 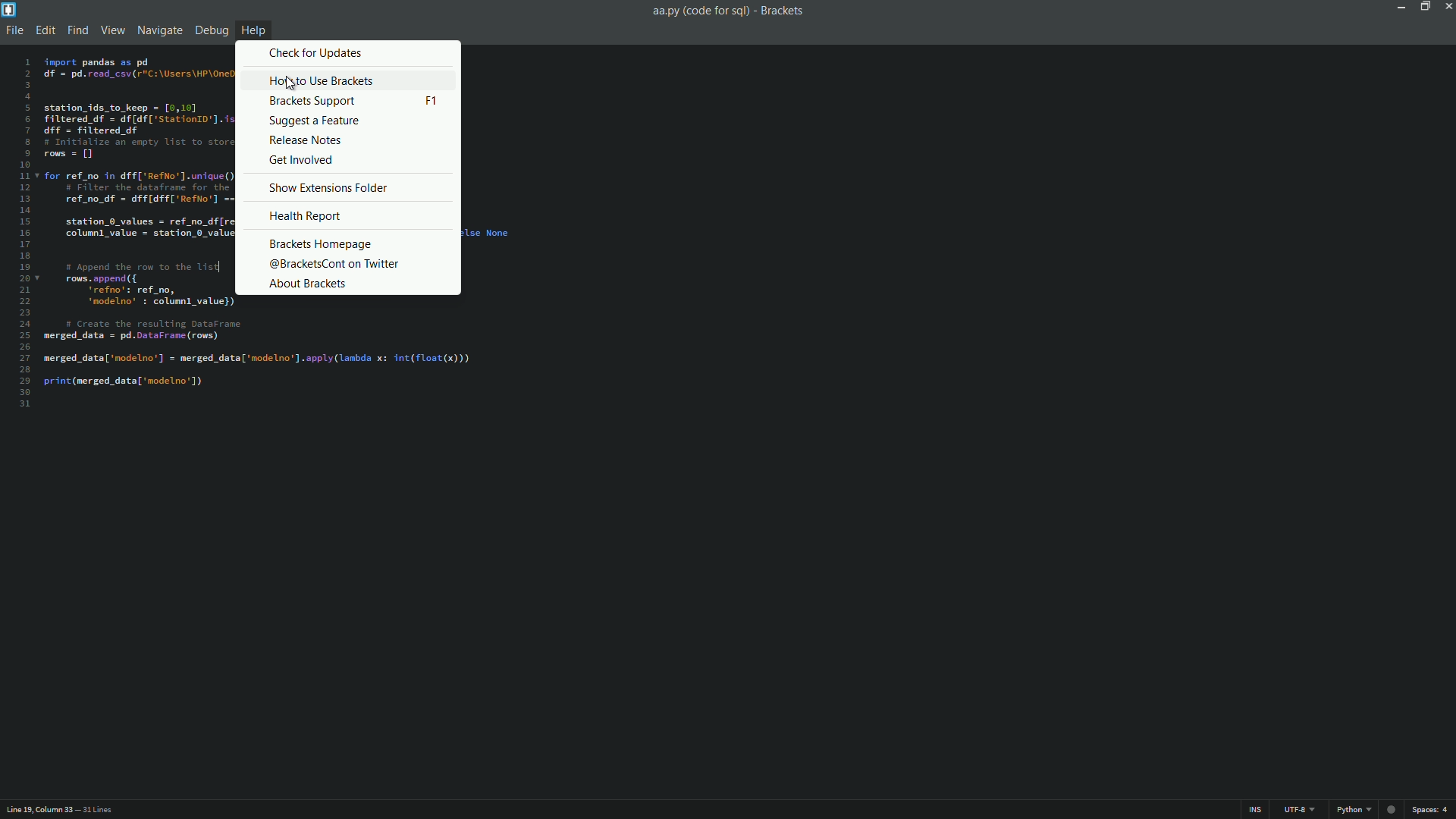 What do you see at coordinates (1446, 8) in the screenshot?
I see `close` at bounding box center [1446, 8].